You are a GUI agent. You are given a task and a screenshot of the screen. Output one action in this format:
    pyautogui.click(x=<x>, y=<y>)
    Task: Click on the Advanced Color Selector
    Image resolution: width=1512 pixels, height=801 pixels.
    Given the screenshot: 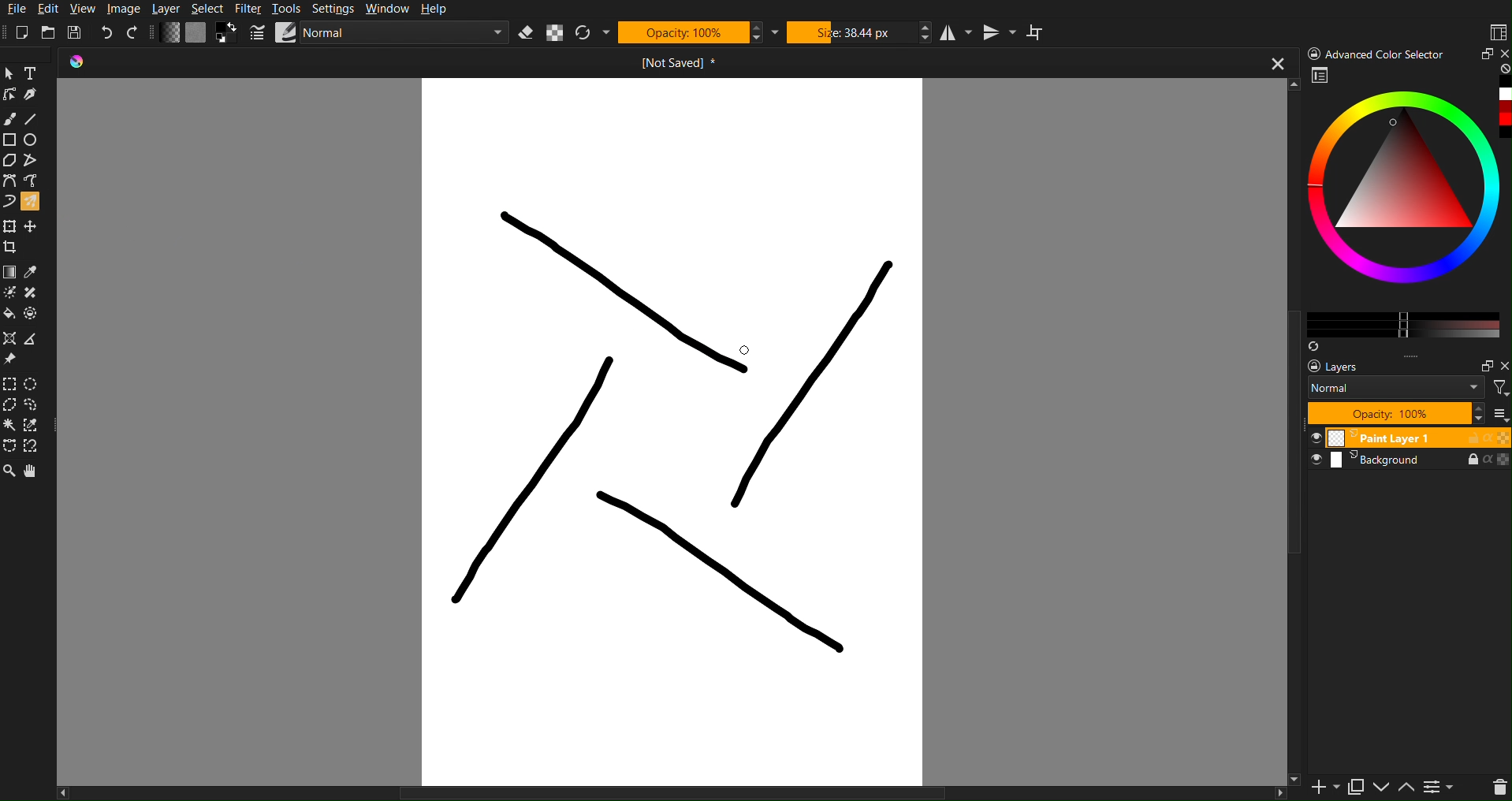 What is the action you would take?
    pyautogui.click(x=1378, y=53)
    